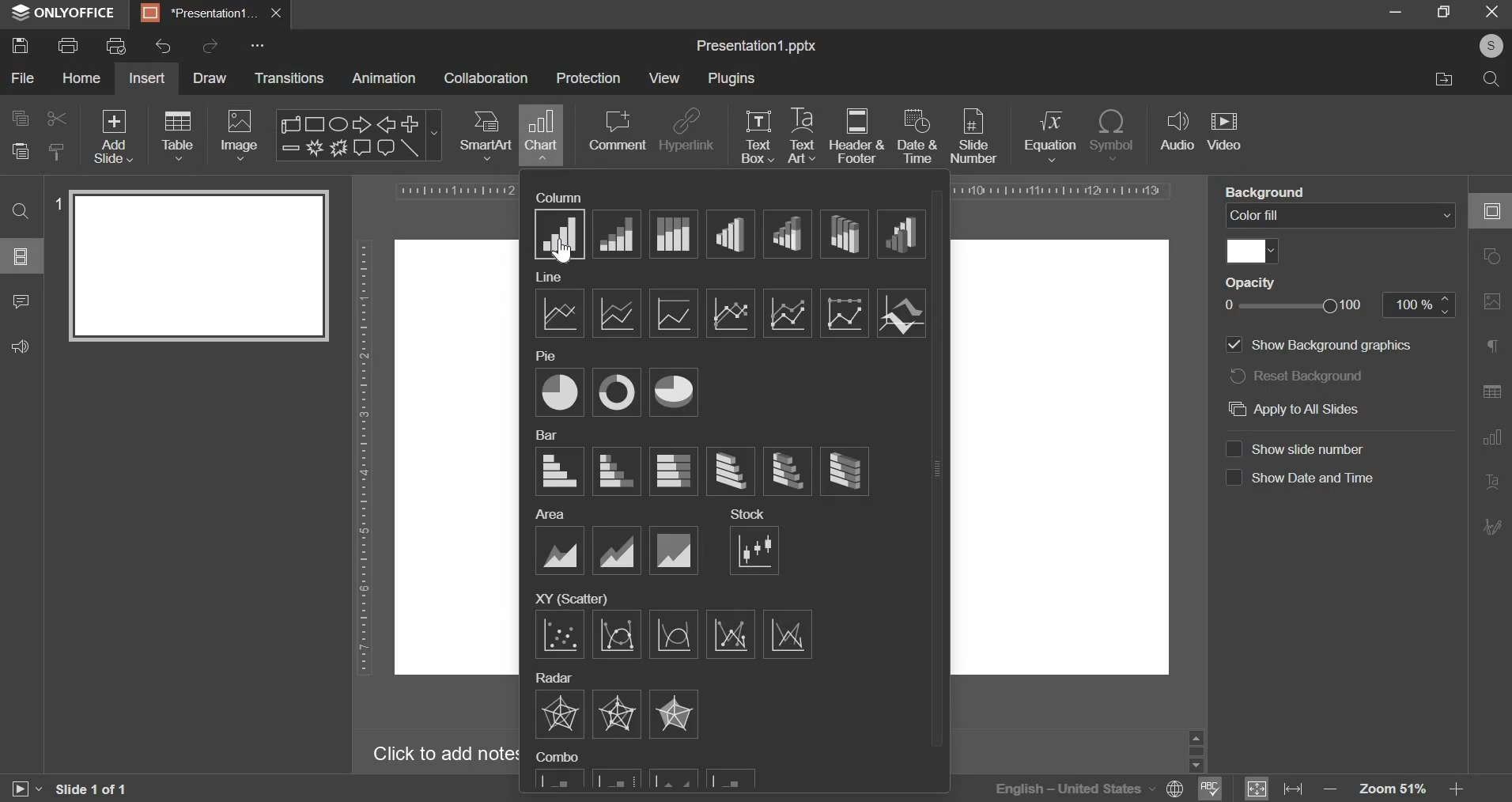 The image size is (1512, 802). Describe the element at coordinates (366, 448) in the screenshot. I see `vertical scale` at that location.